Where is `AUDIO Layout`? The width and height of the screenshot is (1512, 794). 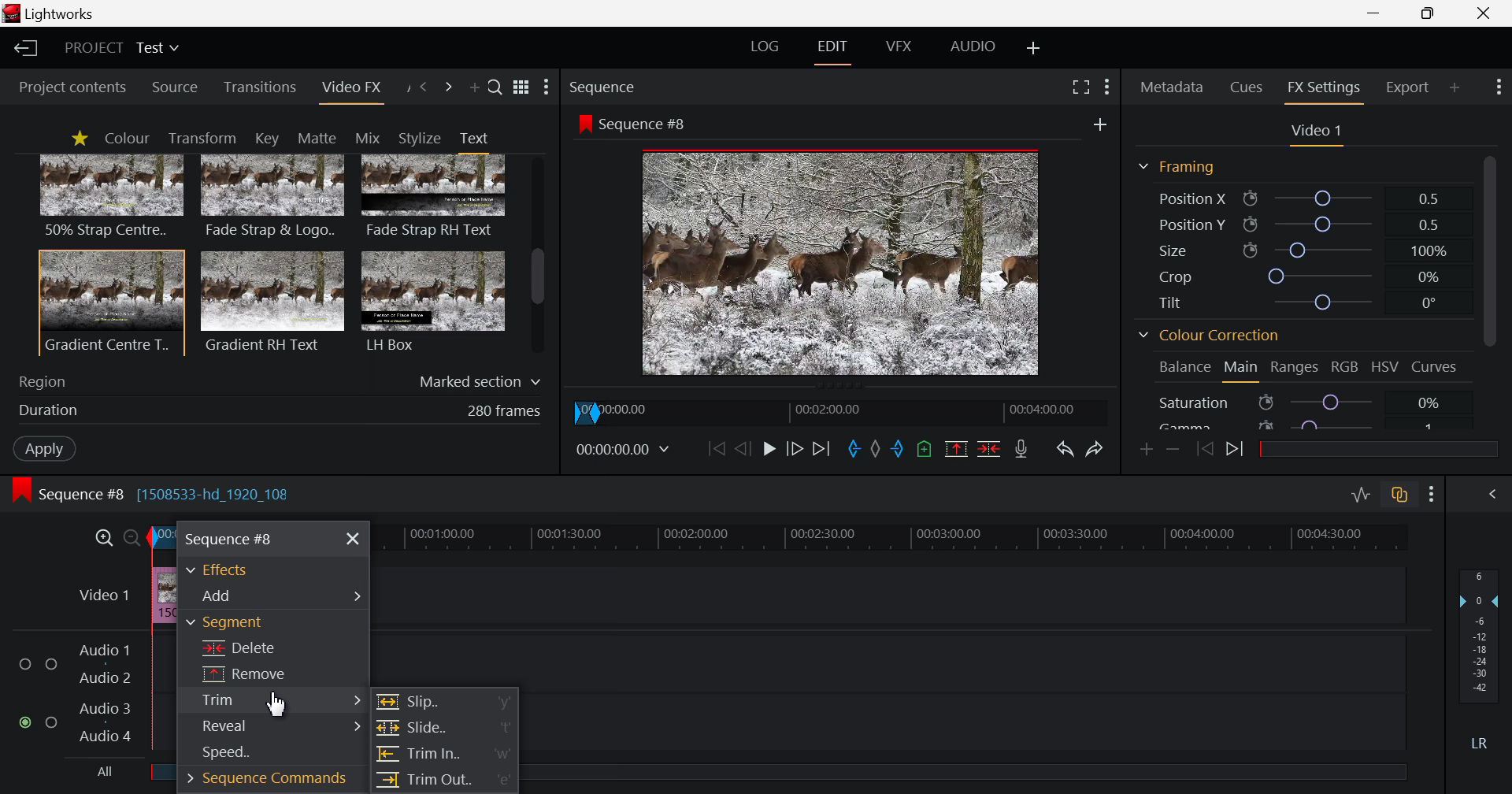 AUDIO Layout is located at coordinates (978, 45).